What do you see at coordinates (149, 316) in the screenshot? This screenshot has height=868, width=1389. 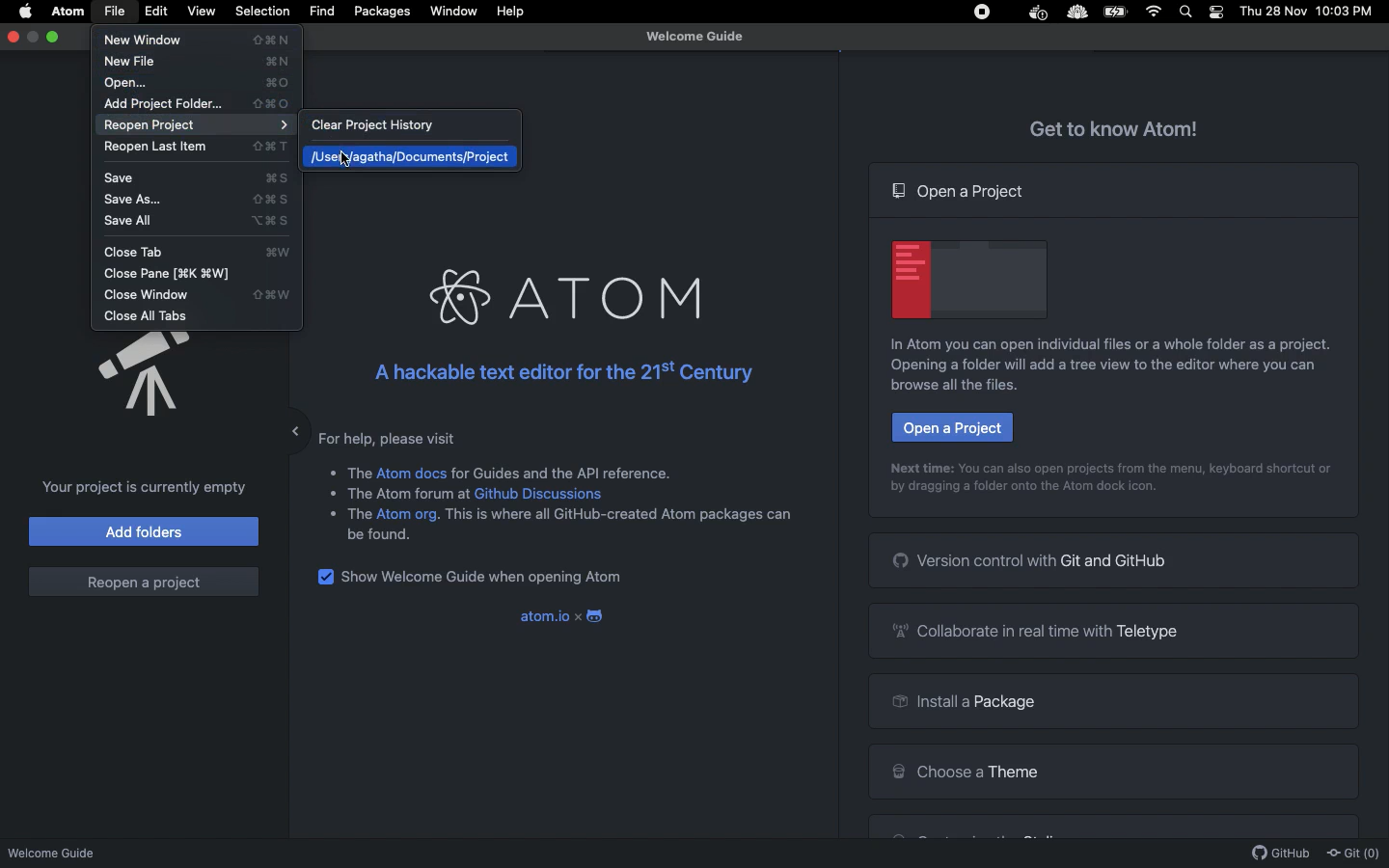 I see `Close all tabs` at bounding box center [149, 316].